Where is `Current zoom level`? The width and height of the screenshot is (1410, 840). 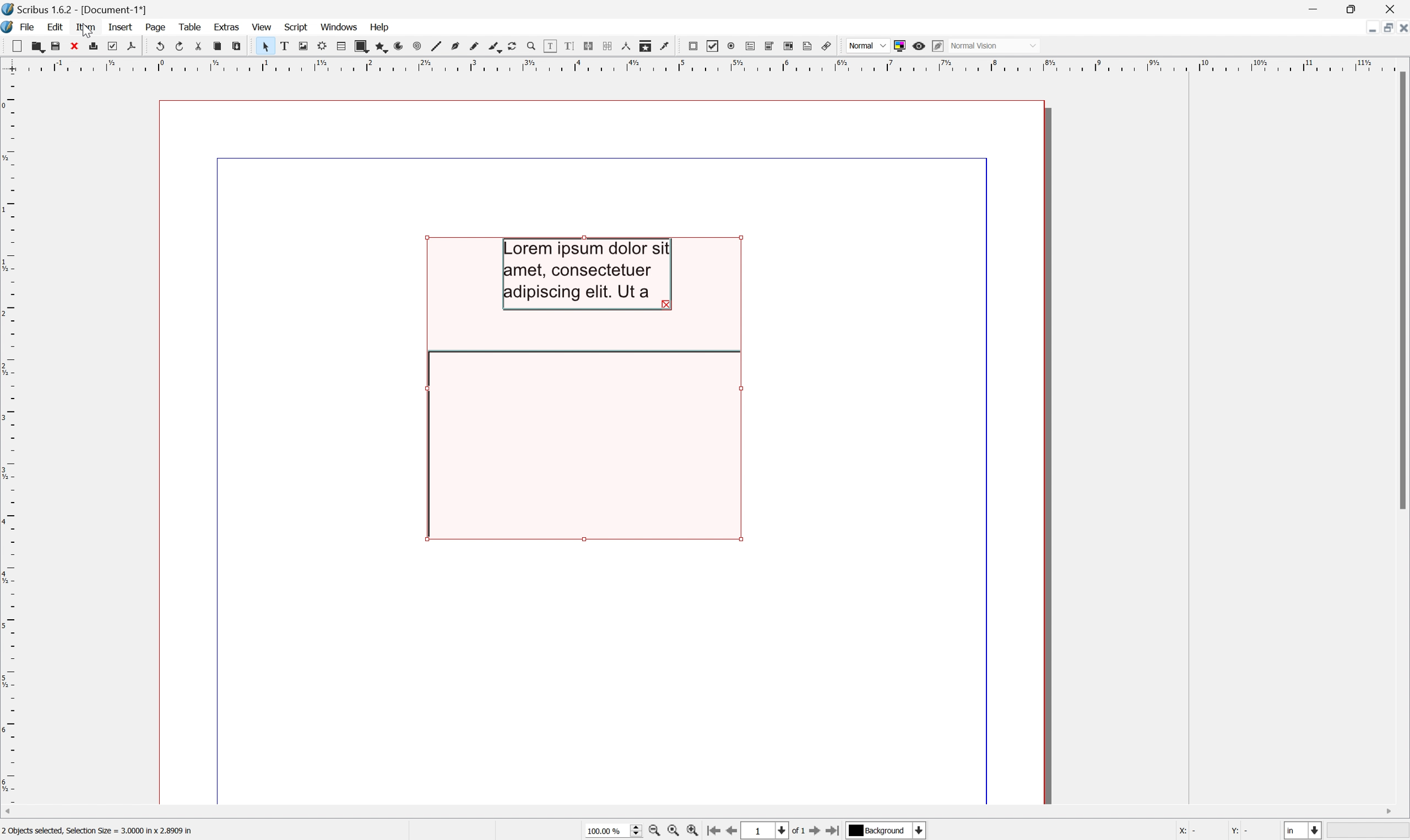 Current zoom level is located at coordinates (613, 832).